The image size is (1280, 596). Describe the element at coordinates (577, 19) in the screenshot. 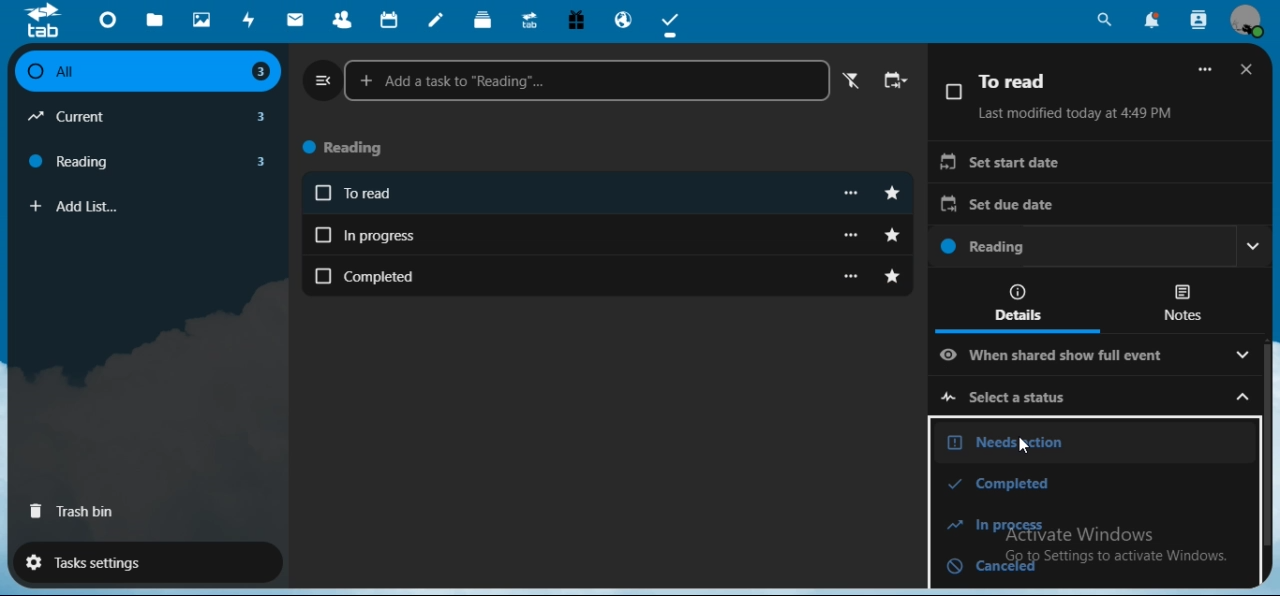

I see `free trial` at that location.